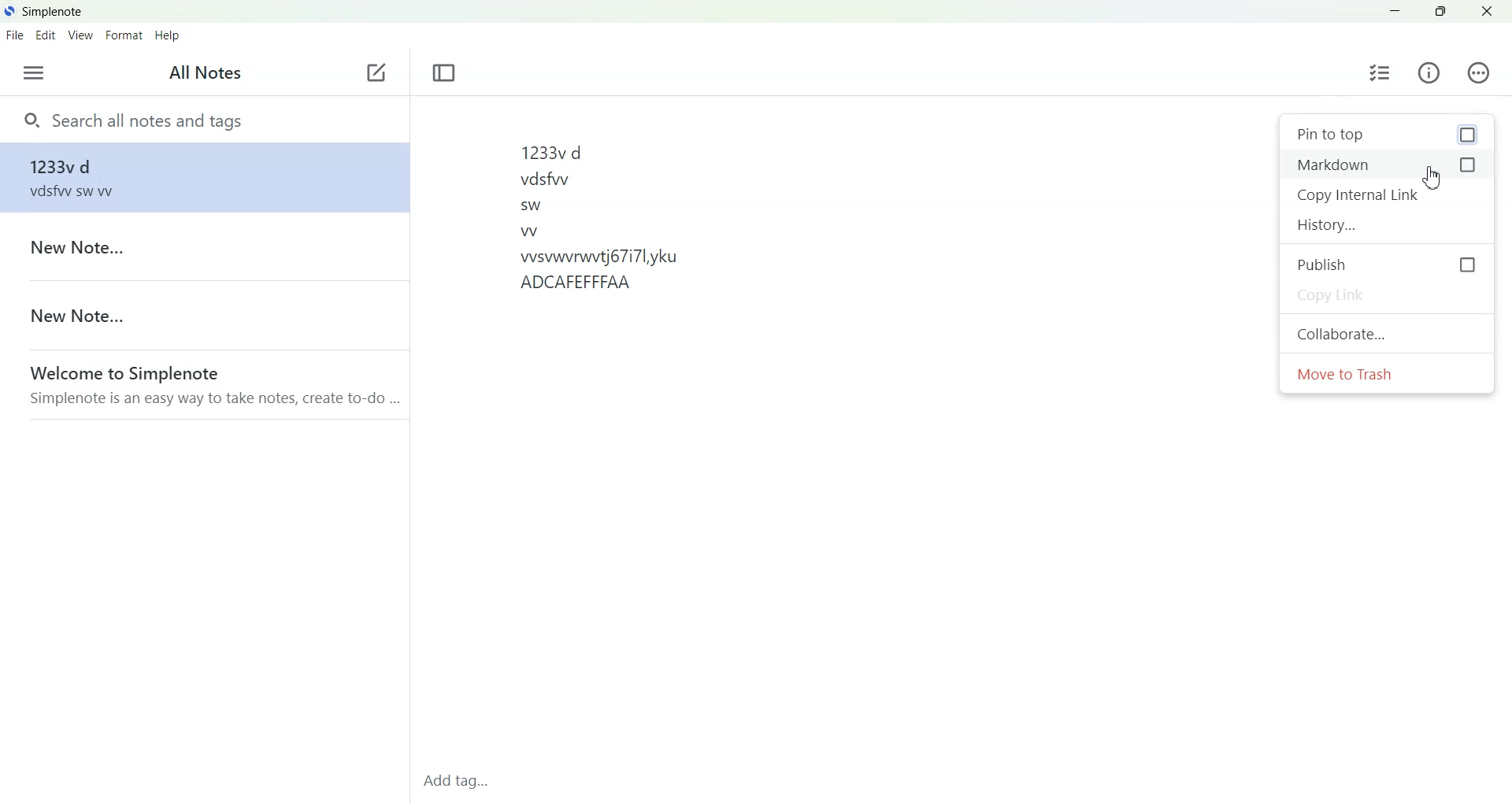 Image resolution: width=1512 pixels, height=803 pixels. Describe the element at coordinates (125, 35) in the screenshot. I see `Format` at that location.